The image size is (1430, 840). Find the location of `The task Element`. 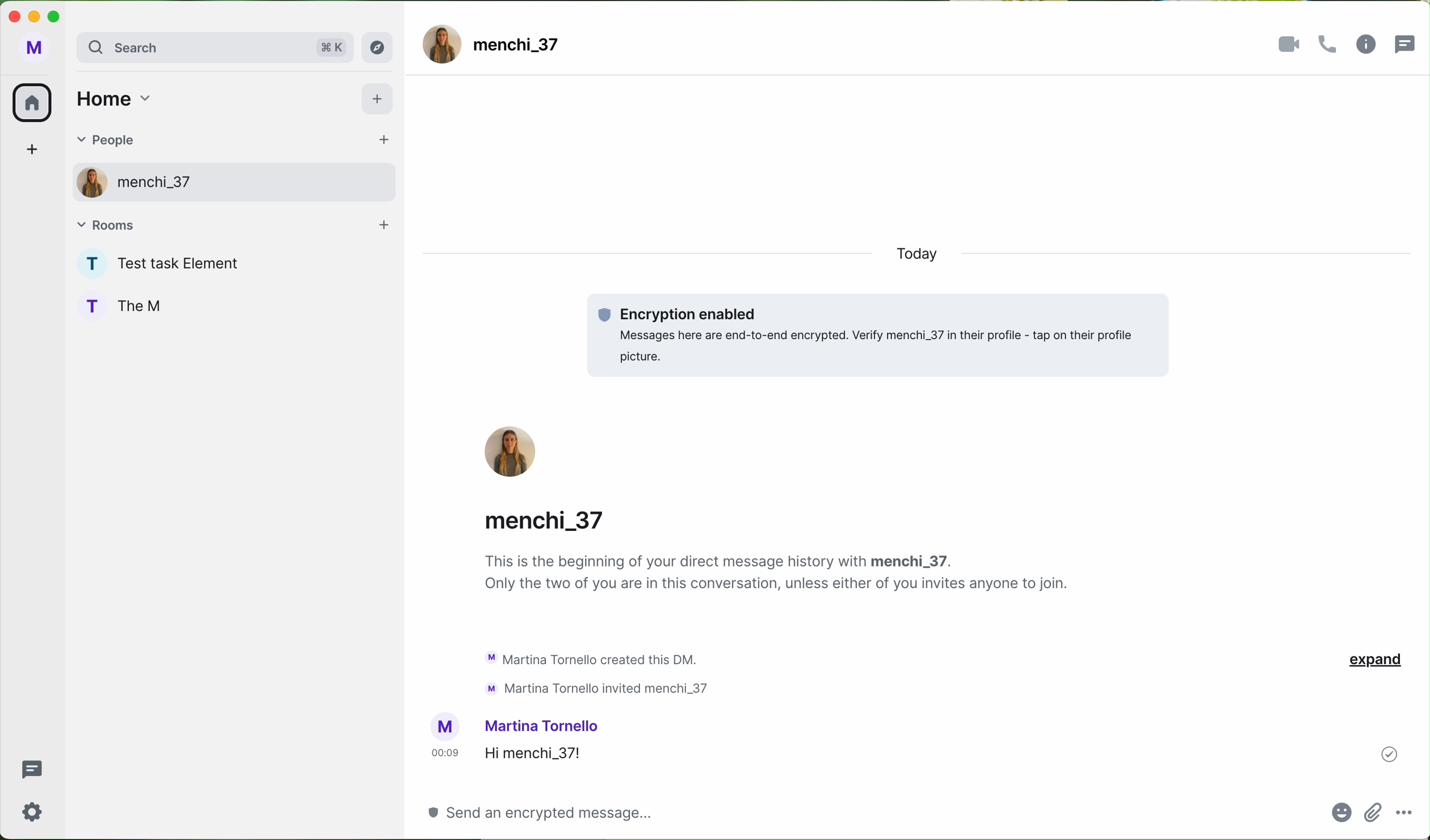

The task Element is located at coordinates (184, 263).